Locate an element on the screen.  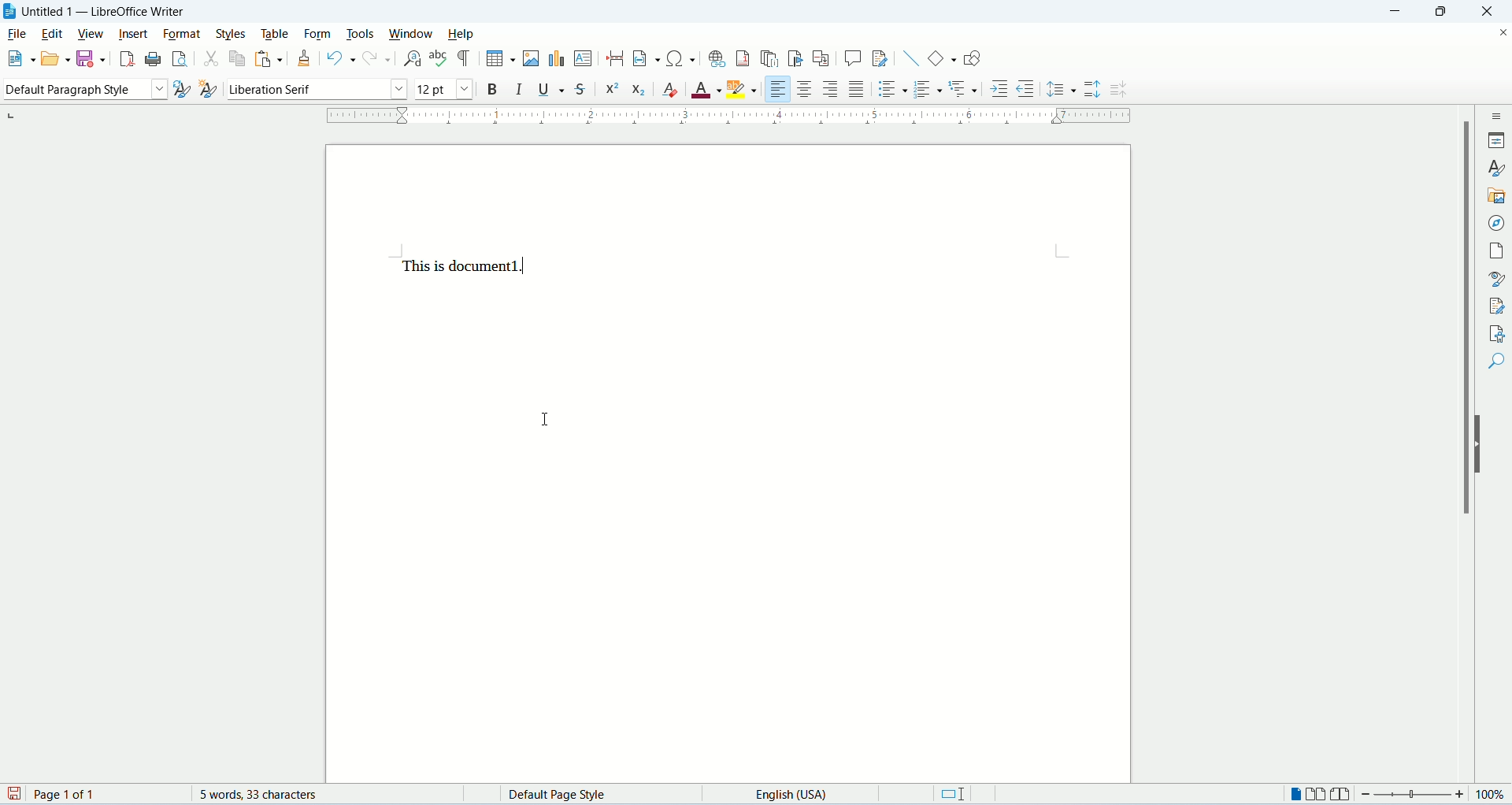
manage changes is located at coordinates (1494, 306).